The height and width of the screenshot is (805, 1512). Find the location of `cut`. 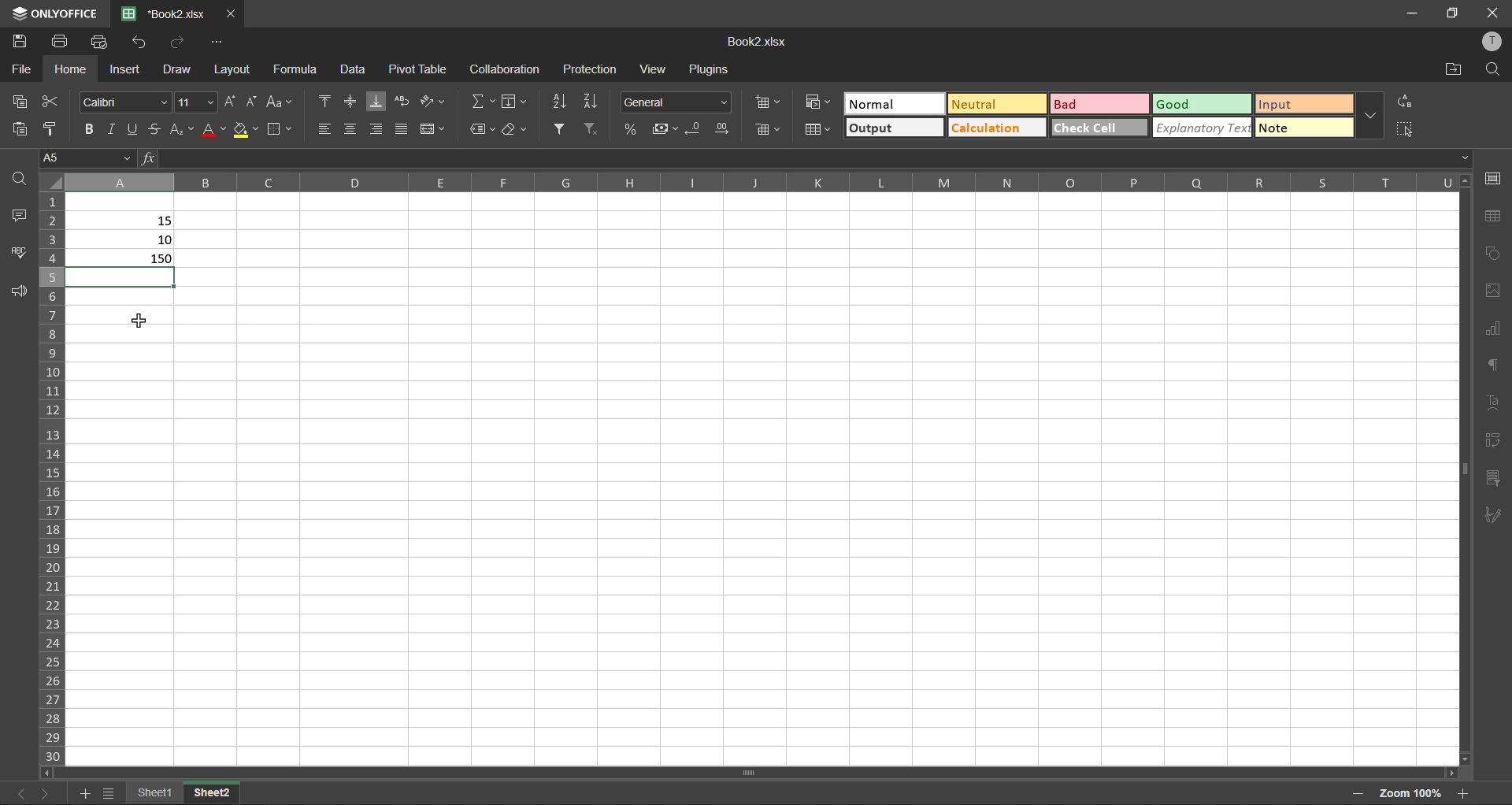

cut is located at coordinates (49, 102).